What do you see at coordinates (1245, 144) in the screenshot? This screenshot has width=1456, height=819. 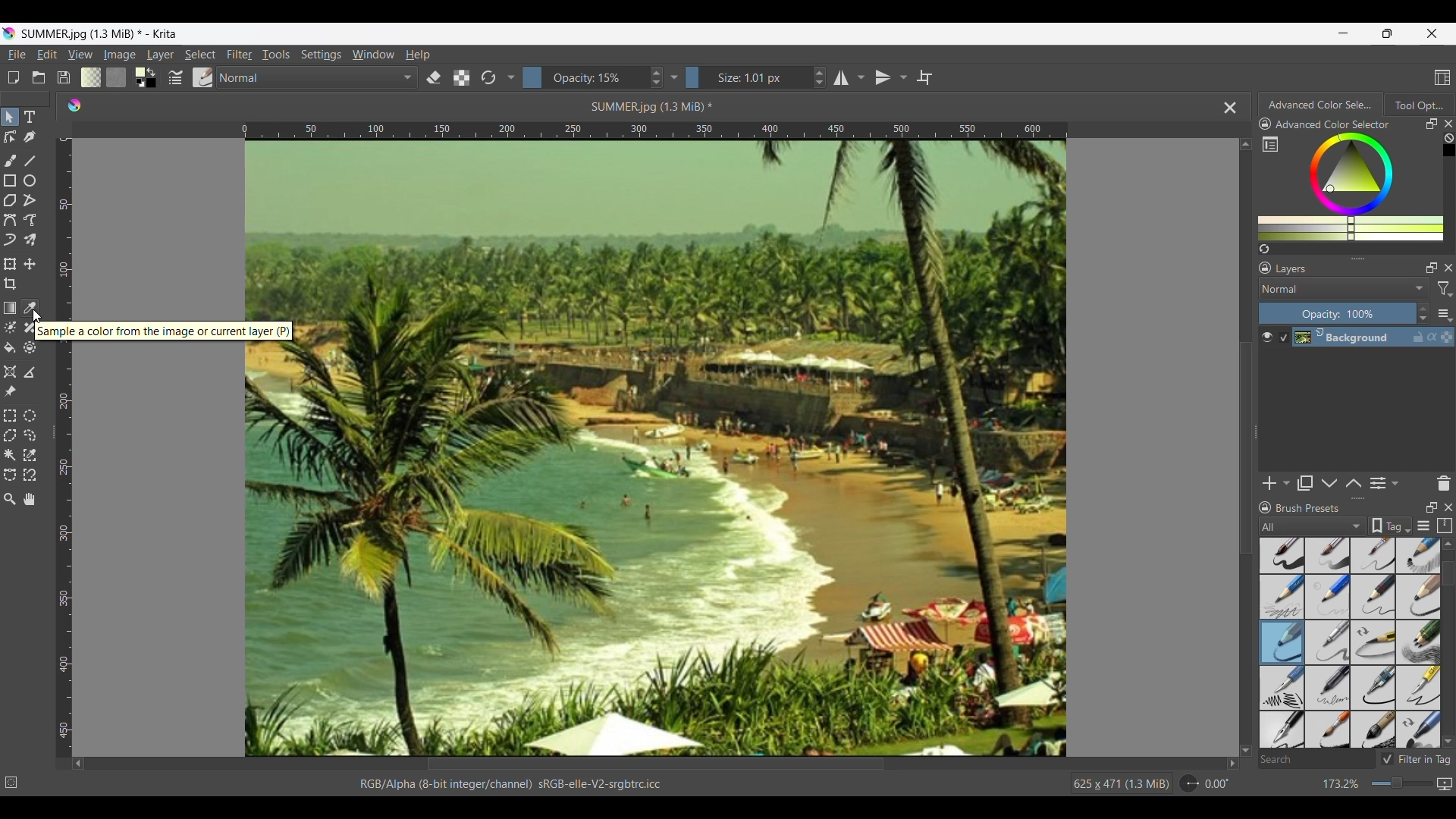 I see `Quick slide to top` at bounding box center [1245, 144].